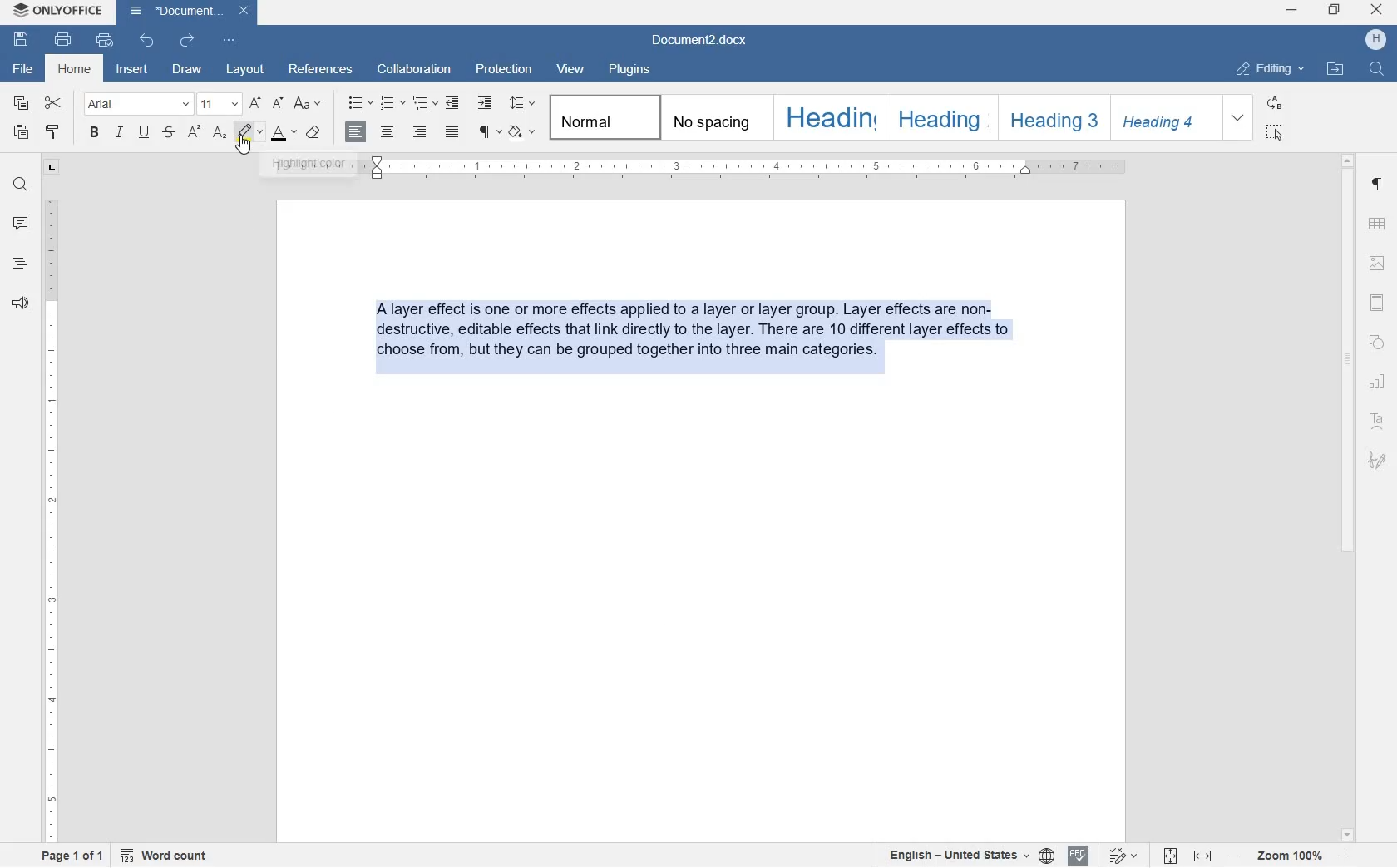 Image resolution: width=1397 pixels, height=868 pixels. What do you see at coordinates (1077, 855) in the screenshot?
I see `SPELL CHECK` at bounding box center [1077, 855].